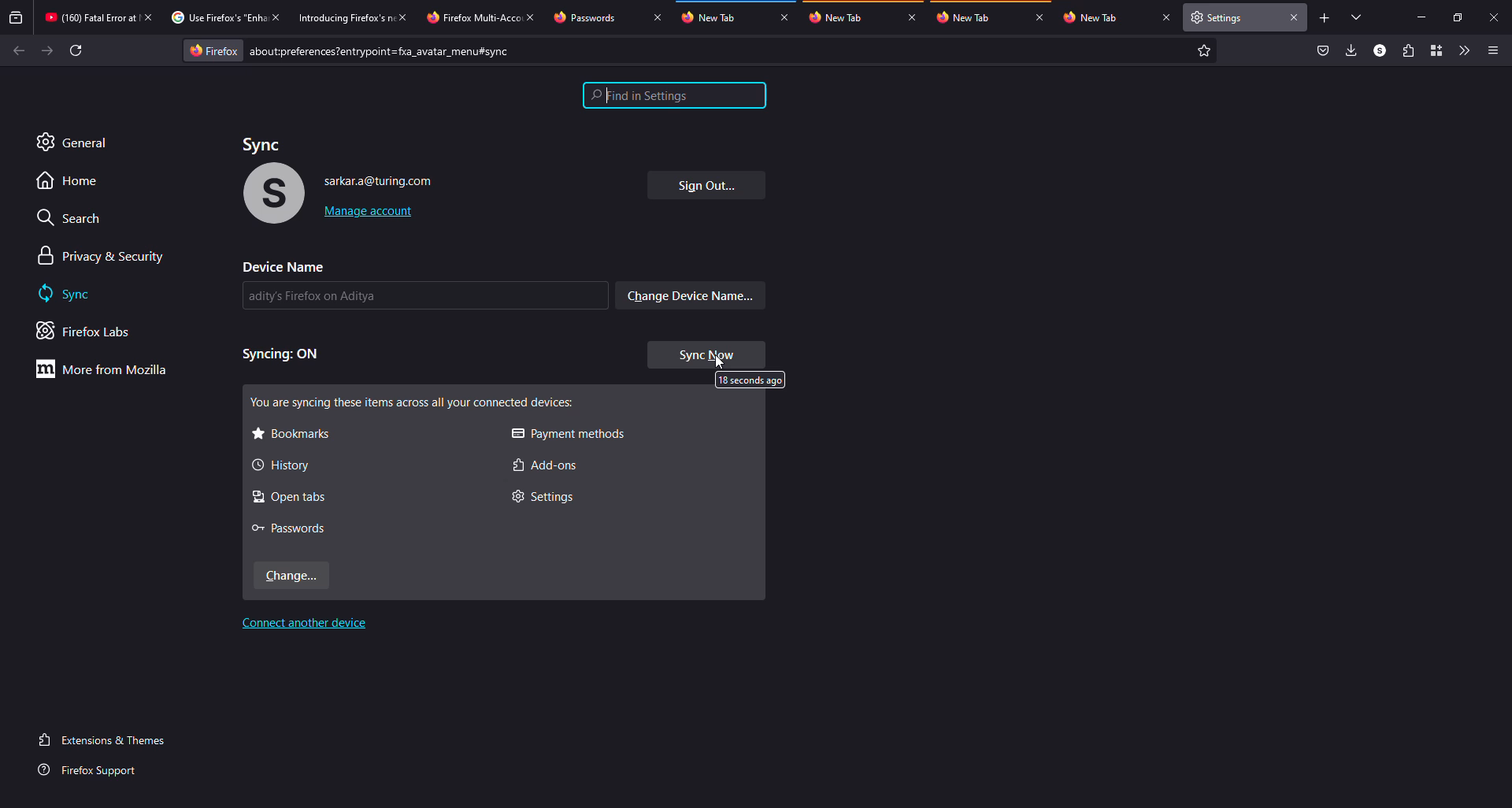 The height and width of the screenshot is (808, 1512). I want to click on profile, so click(1381, 50).